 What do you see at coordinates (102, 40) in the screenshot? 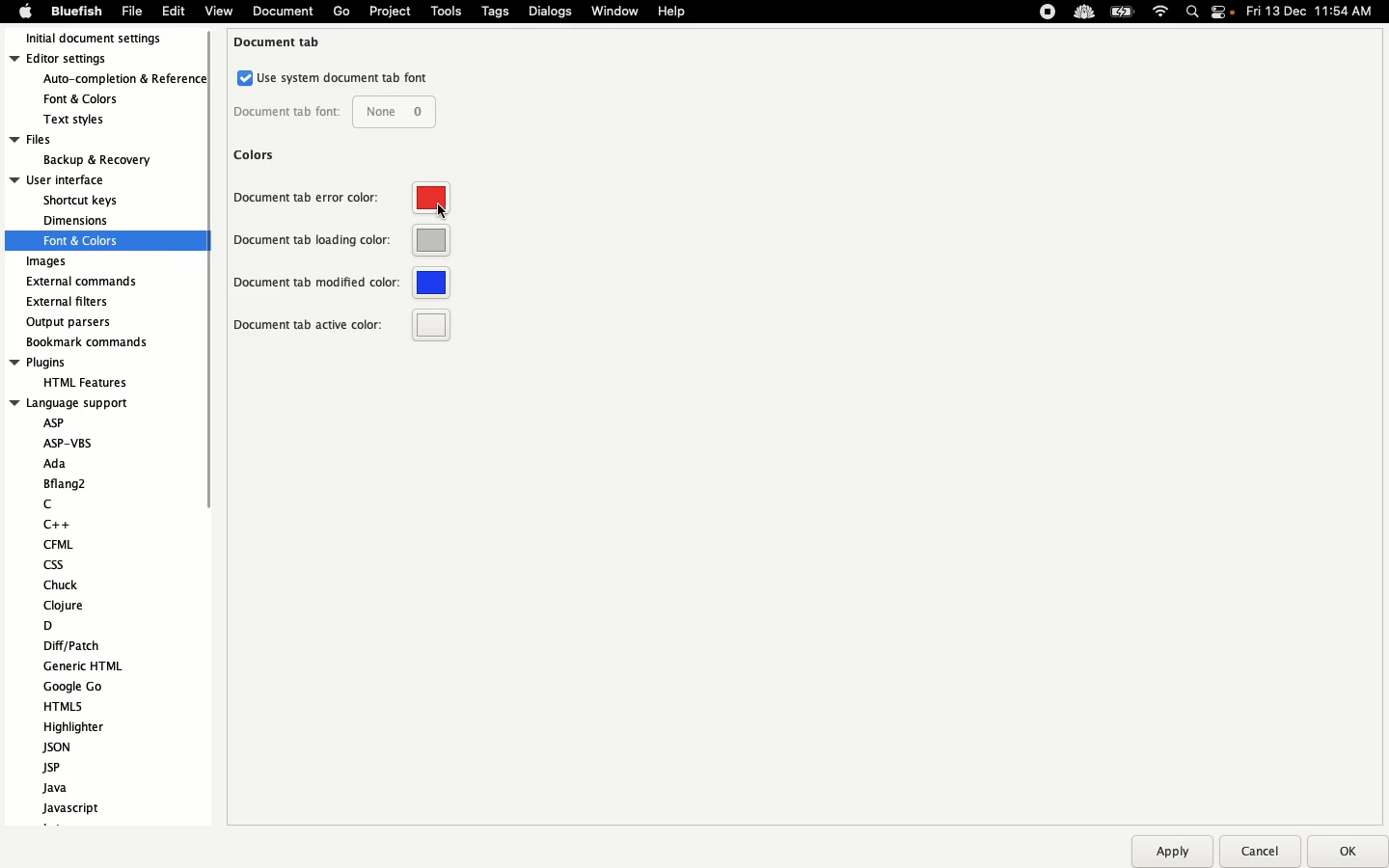
I see `Initial document settings` at bounding box center [102, 40].